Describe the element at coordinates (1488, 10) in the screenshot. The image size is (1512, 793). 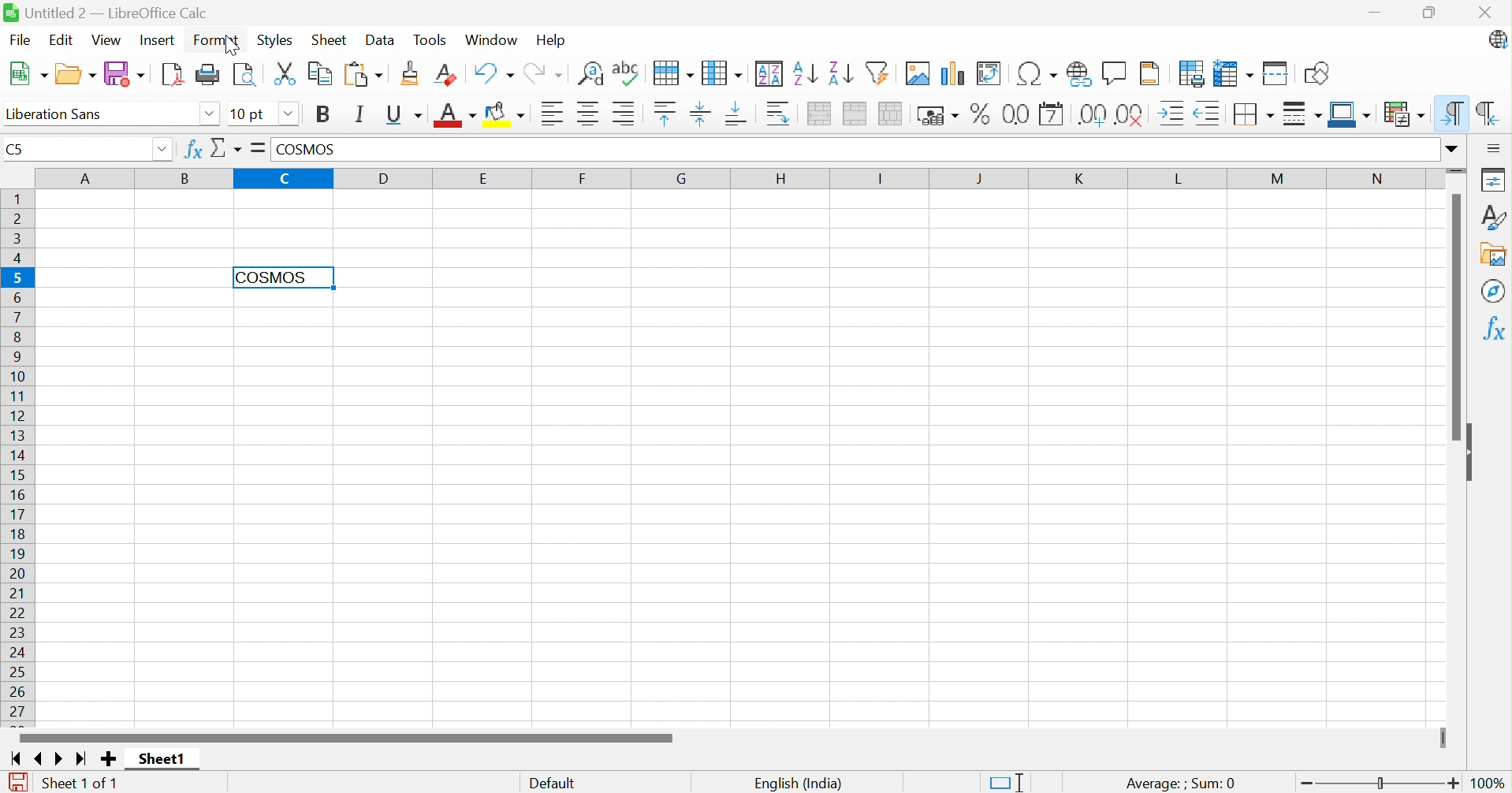
I see `Close` at that location.